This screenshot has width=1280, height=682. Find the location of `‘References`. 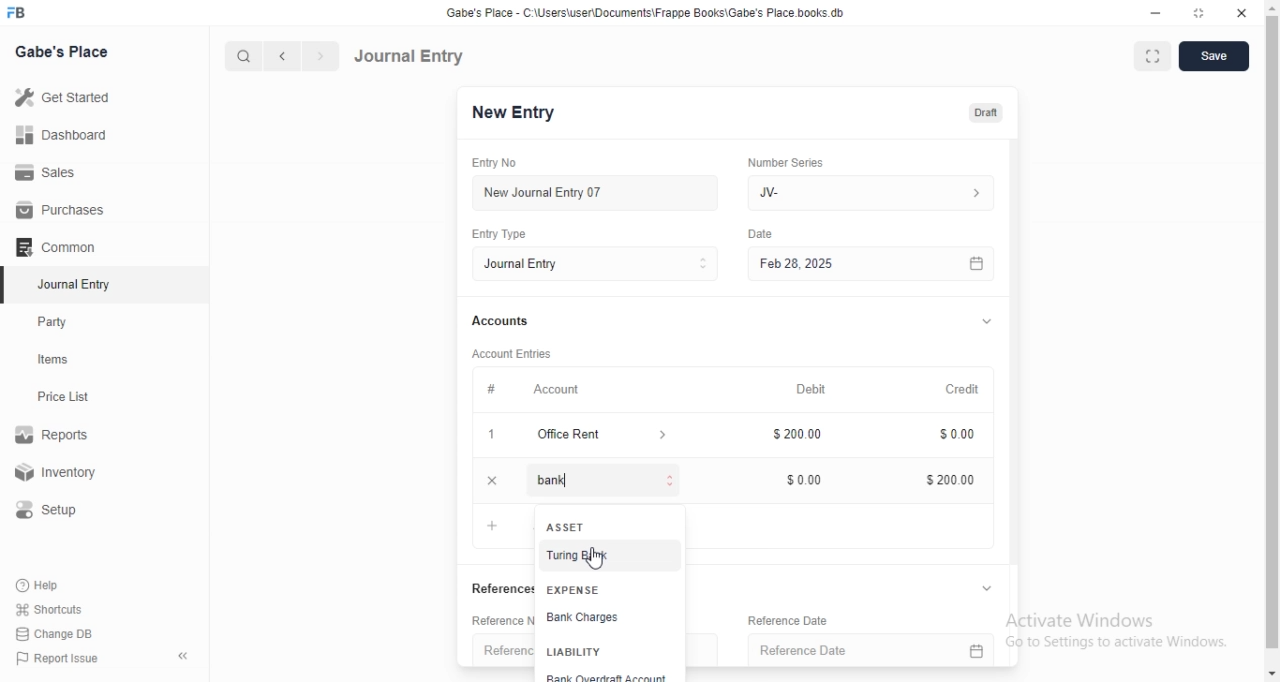

‘References is located at coordinates (505, 587).